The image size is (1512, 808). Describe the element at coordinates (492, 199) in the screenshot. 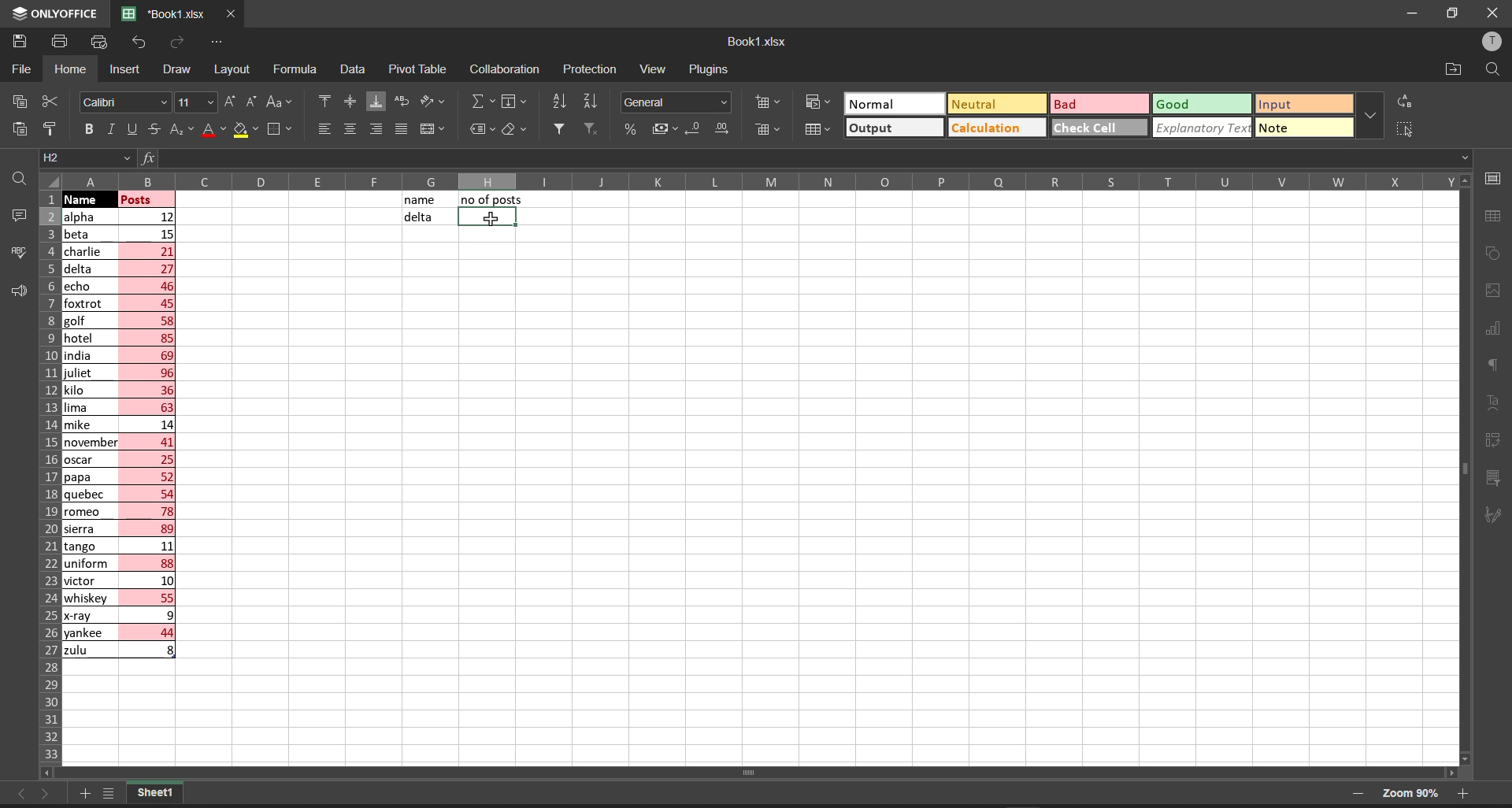

I see `no of posts` at that location.